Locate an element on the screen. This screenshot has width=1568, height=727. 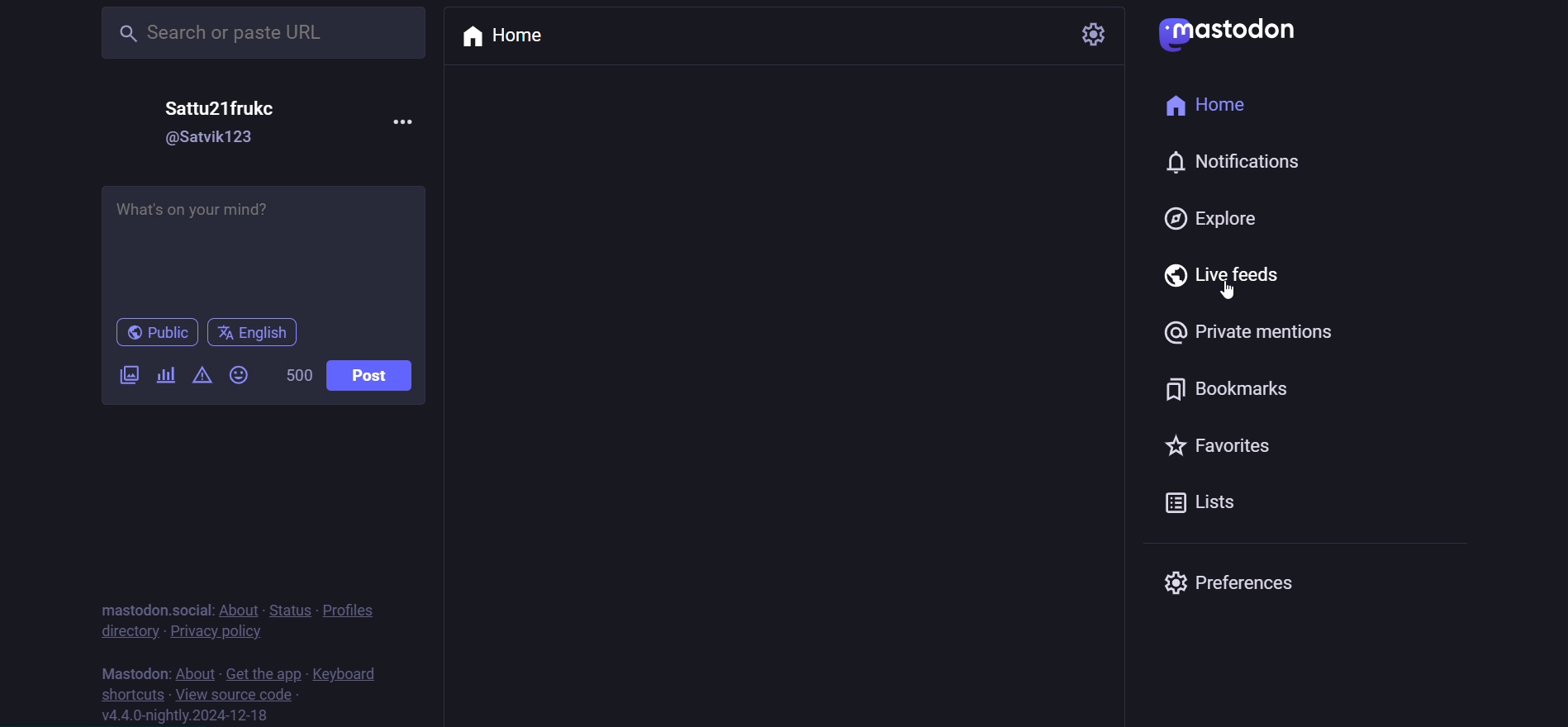
notification is located at coordinates (1211, 164).